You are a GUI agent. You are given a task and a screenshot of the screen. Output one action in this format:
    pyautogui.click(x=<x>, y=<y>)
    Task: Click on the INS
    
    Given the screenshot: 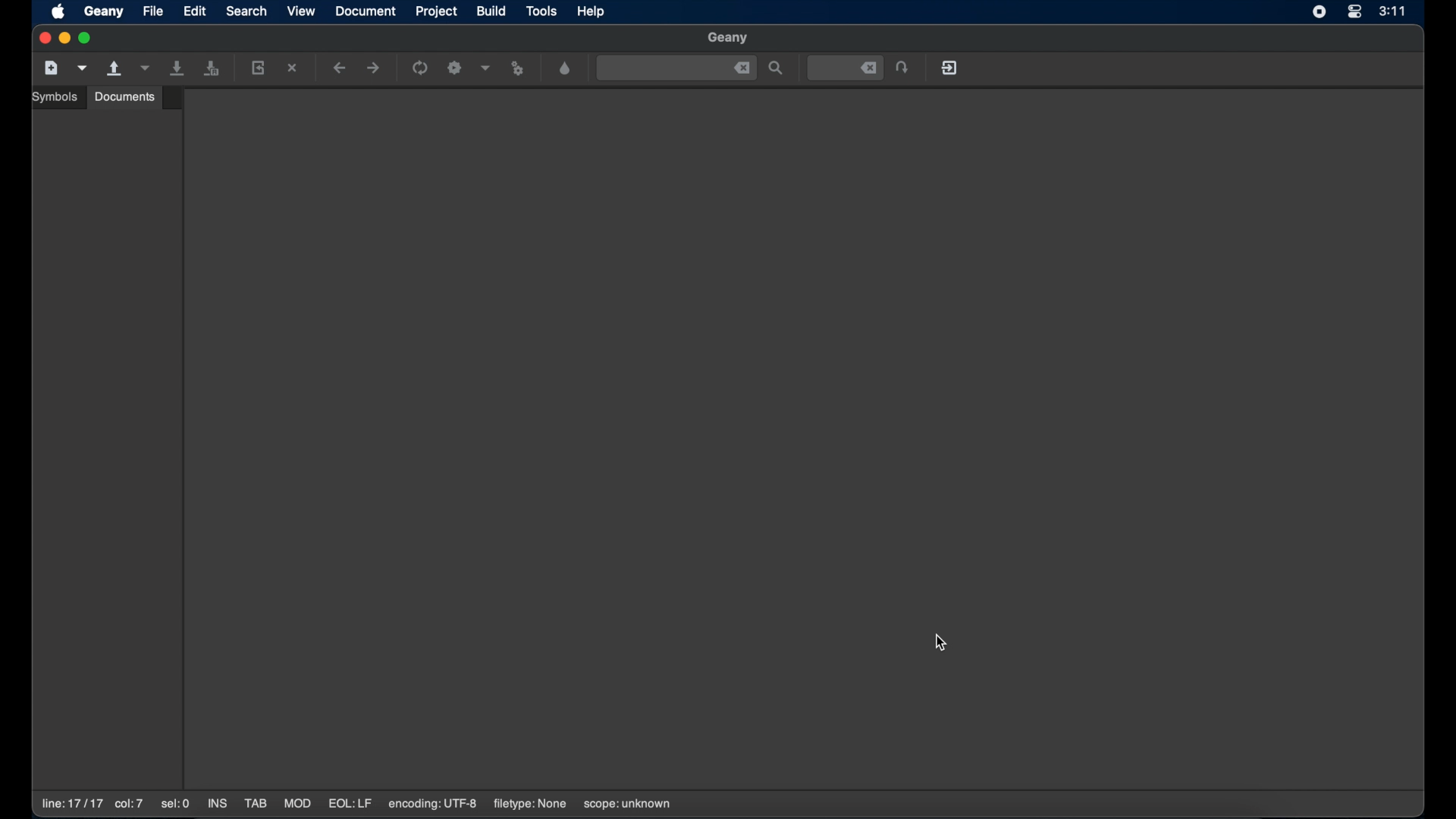 What is the action you would take?
    pyautogui.click(x=218, y=805)
    